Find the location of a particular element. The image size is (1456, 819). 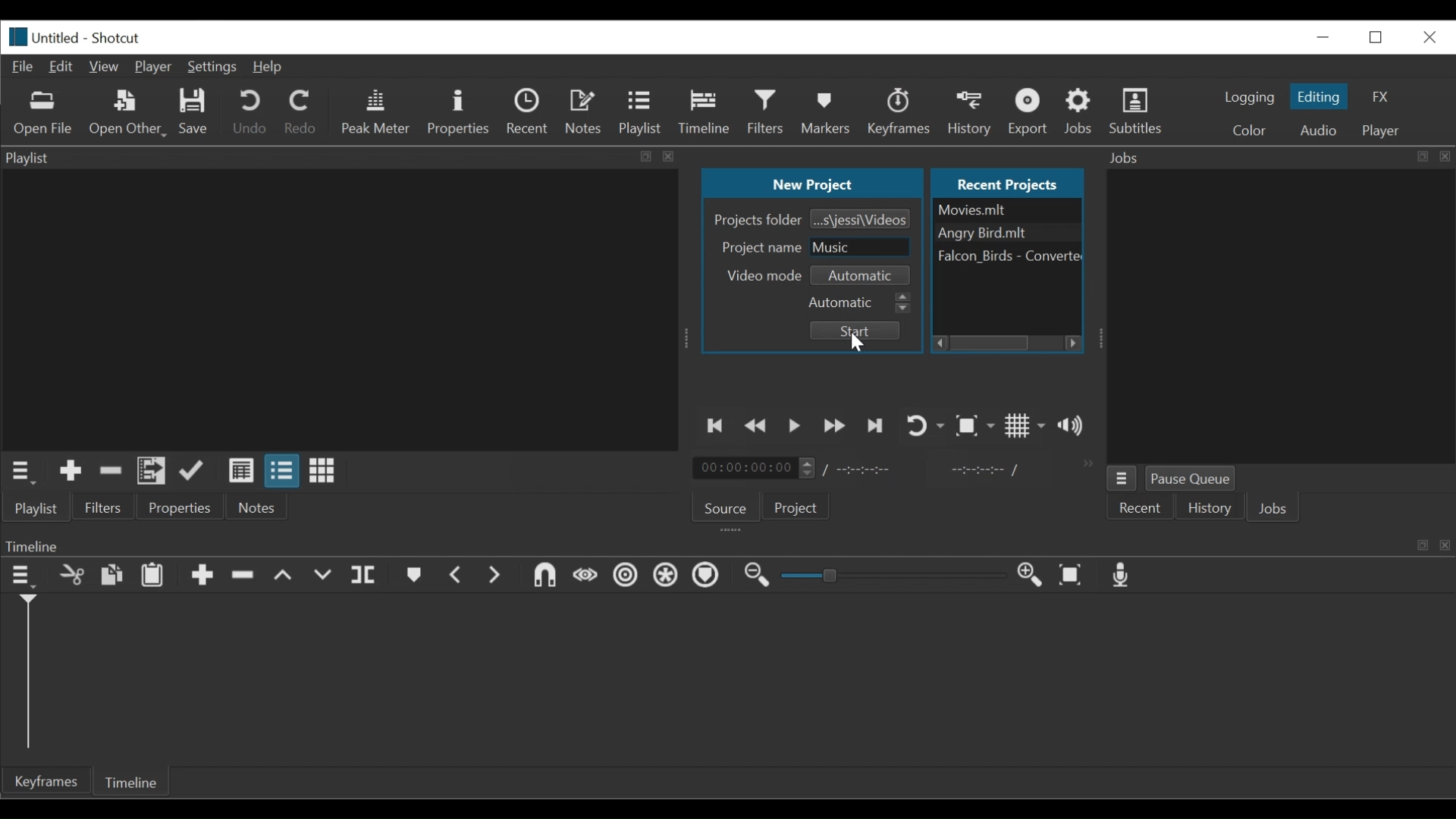

Next Marker is located at coordinates (497, 574).